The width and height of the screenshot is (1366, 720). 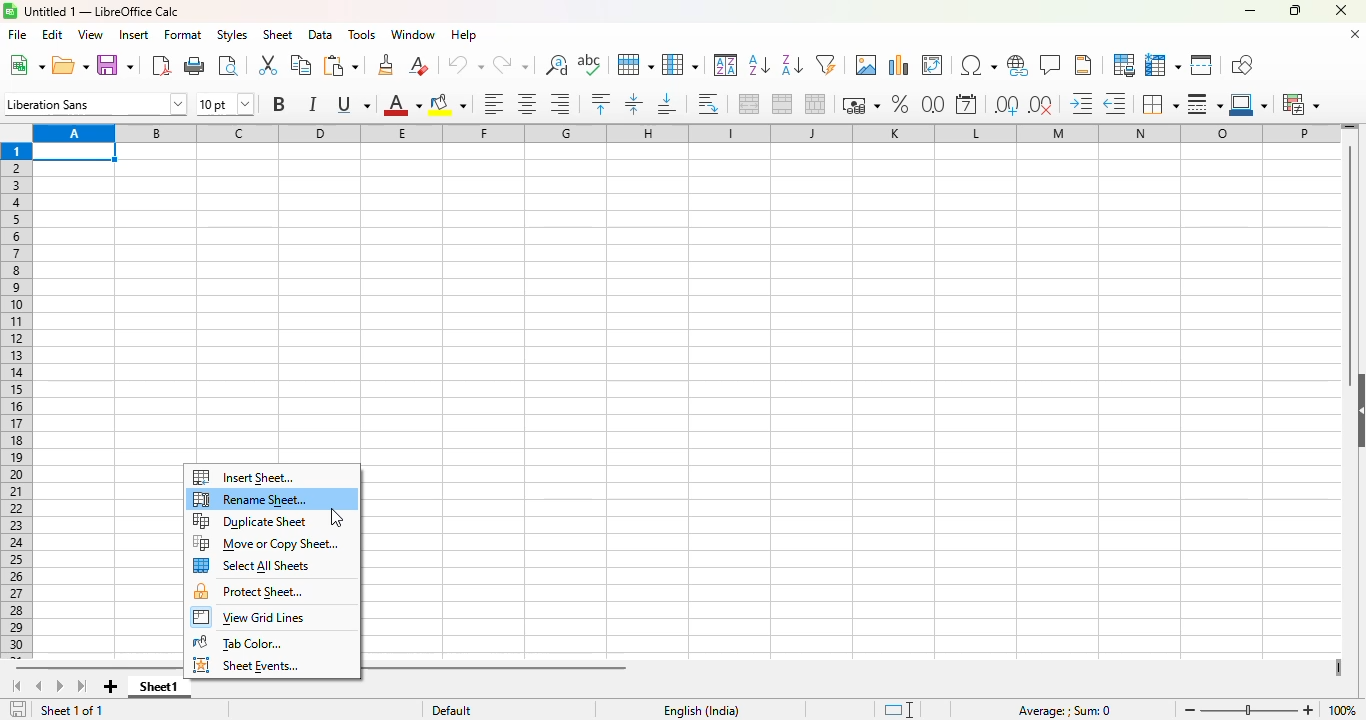 What do you see at coordinates (750, 104) in the screenshot?
I see `merge and center or unmerge cells depending on the current toggle state` at bounding box center [750, 104].